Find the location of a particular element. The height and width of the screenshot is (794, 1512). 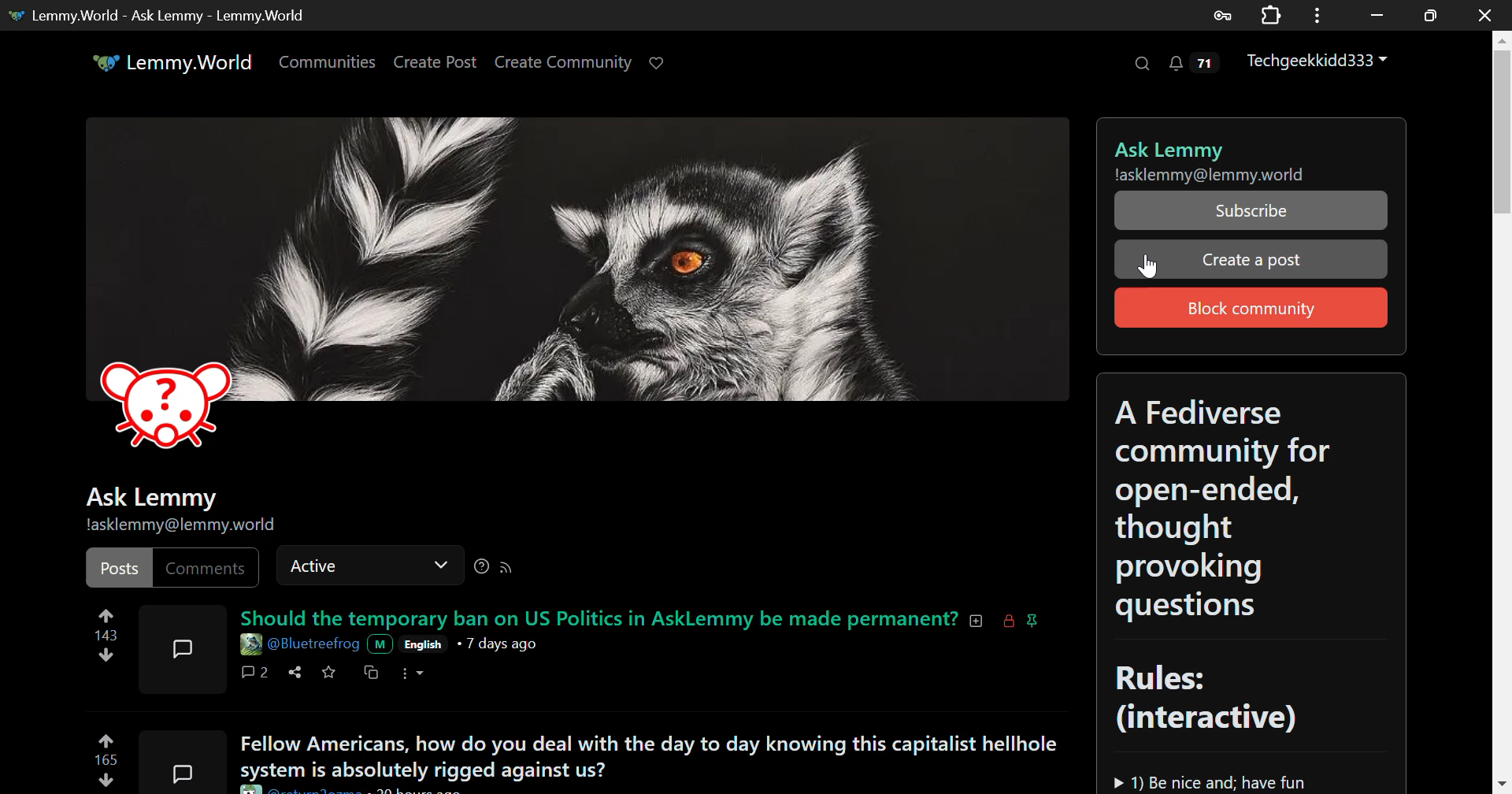

Communities Page is located at coordinates (329, 63).